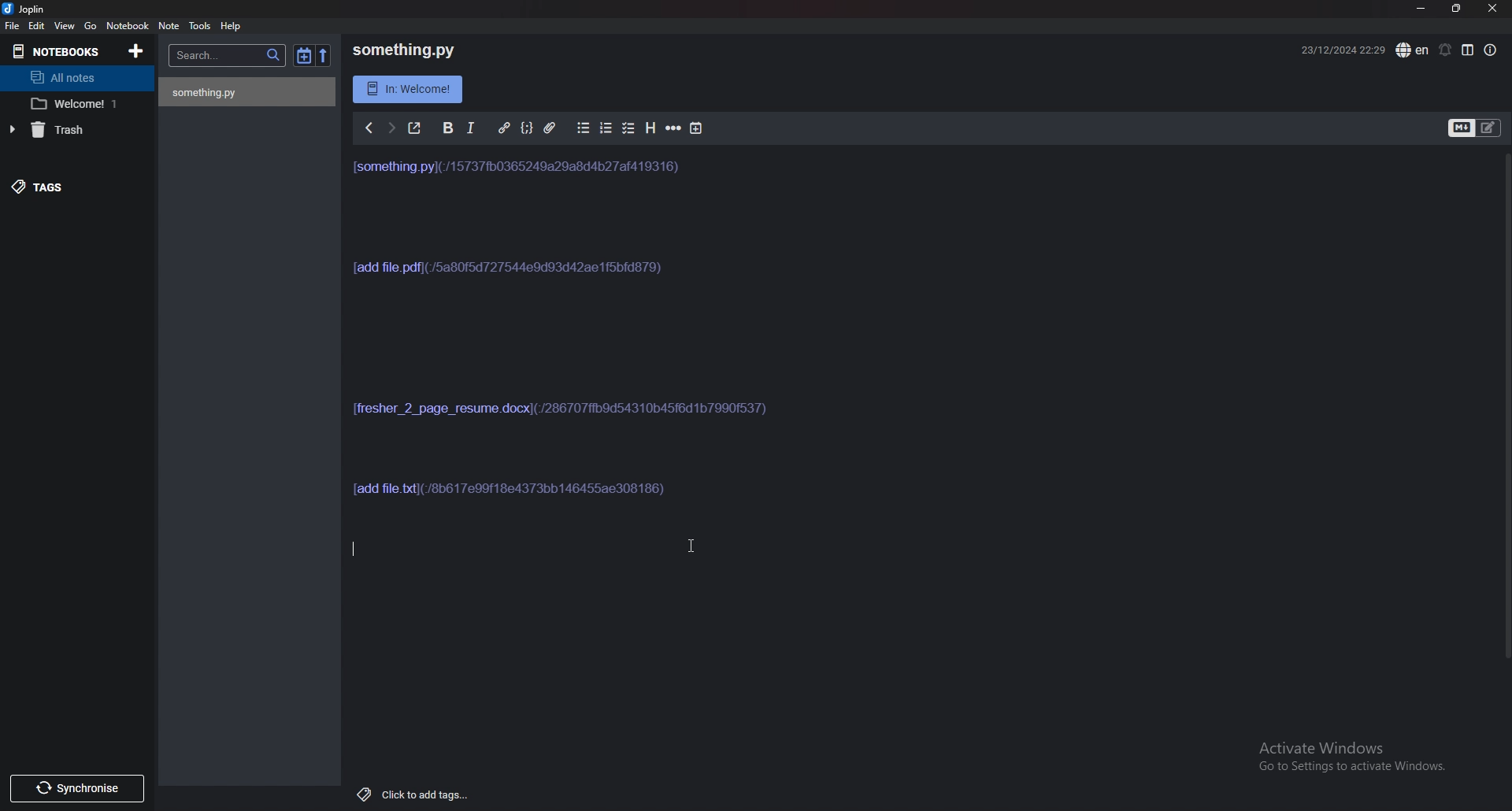 This screenshot has height=811, width=1512. What do you see at coordinates (127, 27) in the screenshot?
I see `Notebook` at bounding box center [127, 27].